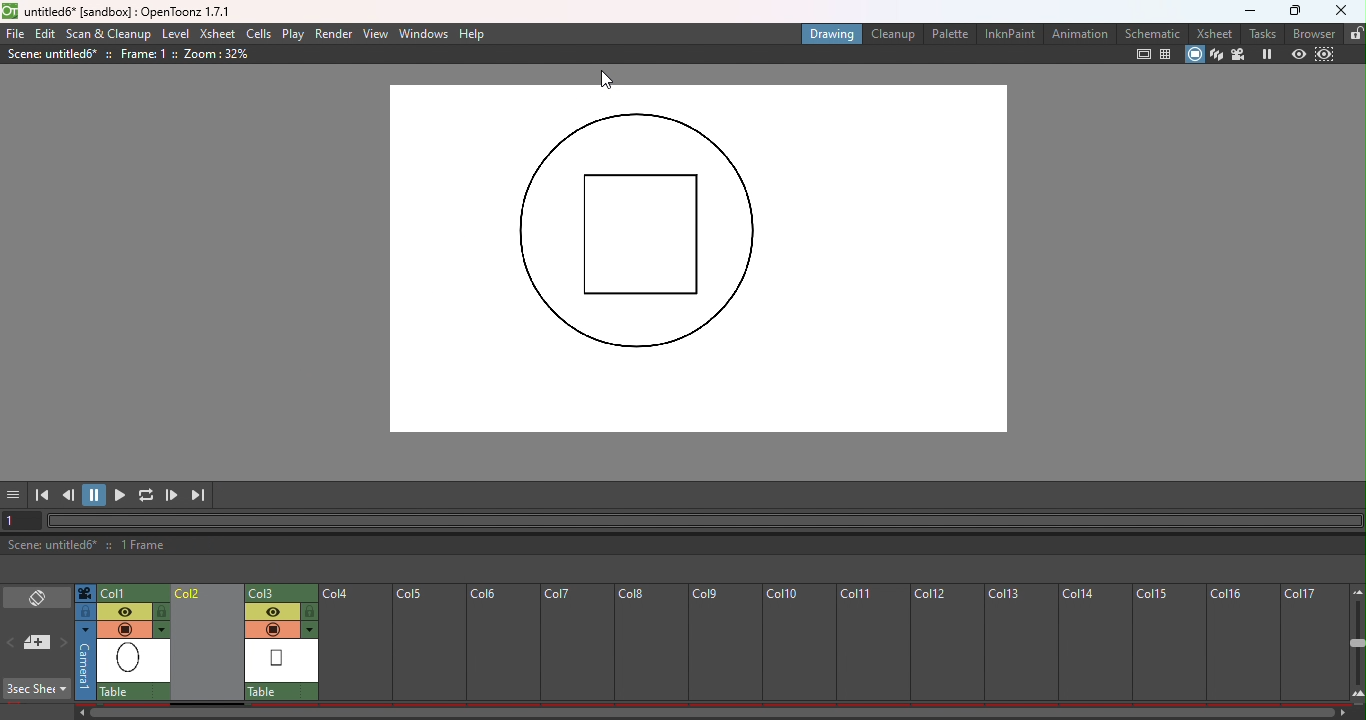  Describe the element at coordinates (311, 630) in the screenshot. I see `Additional column settings` at that location.